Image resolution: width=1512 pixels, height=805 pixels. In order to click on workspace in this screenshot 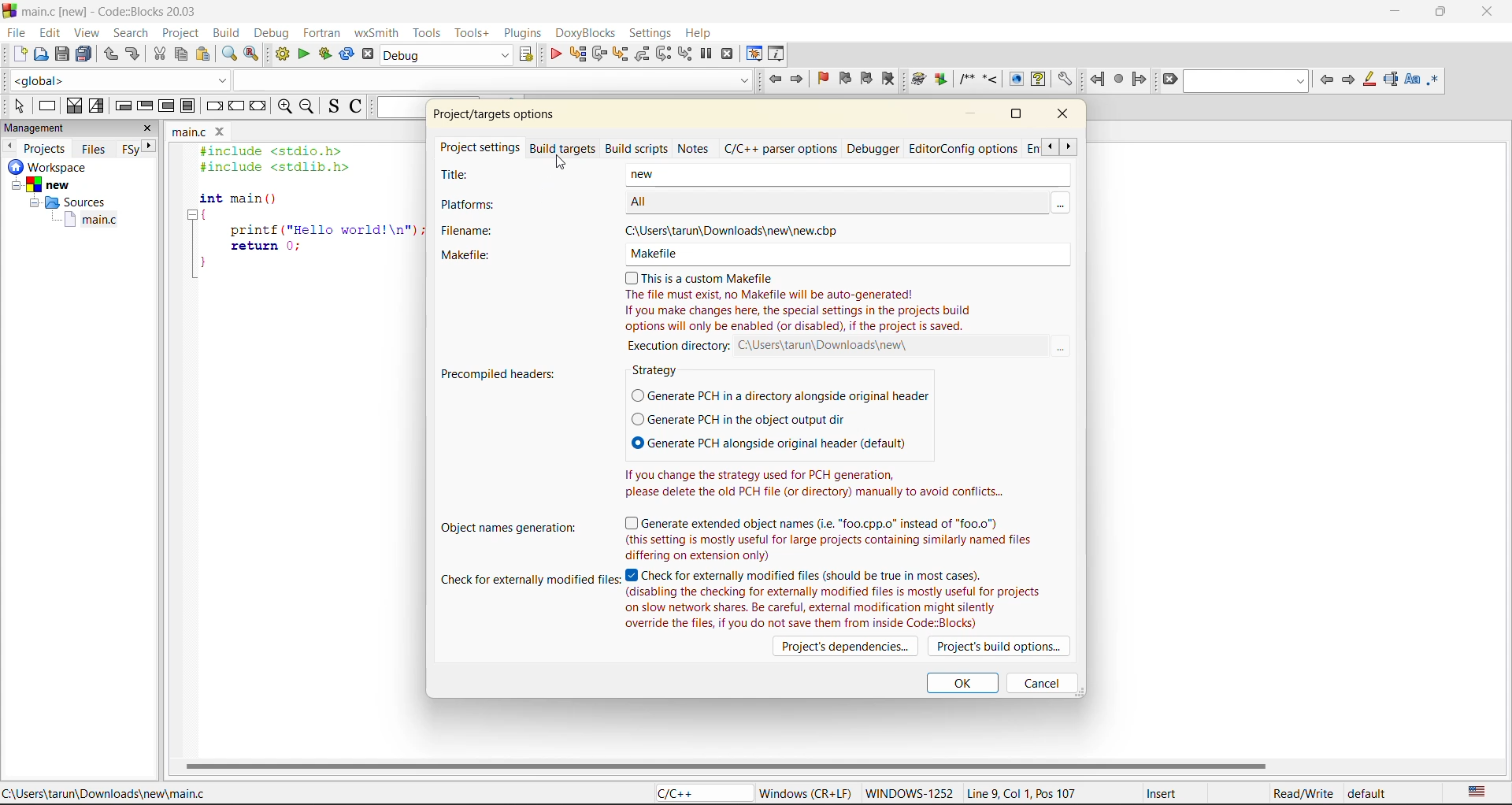, I will do `click(66, 167)`.